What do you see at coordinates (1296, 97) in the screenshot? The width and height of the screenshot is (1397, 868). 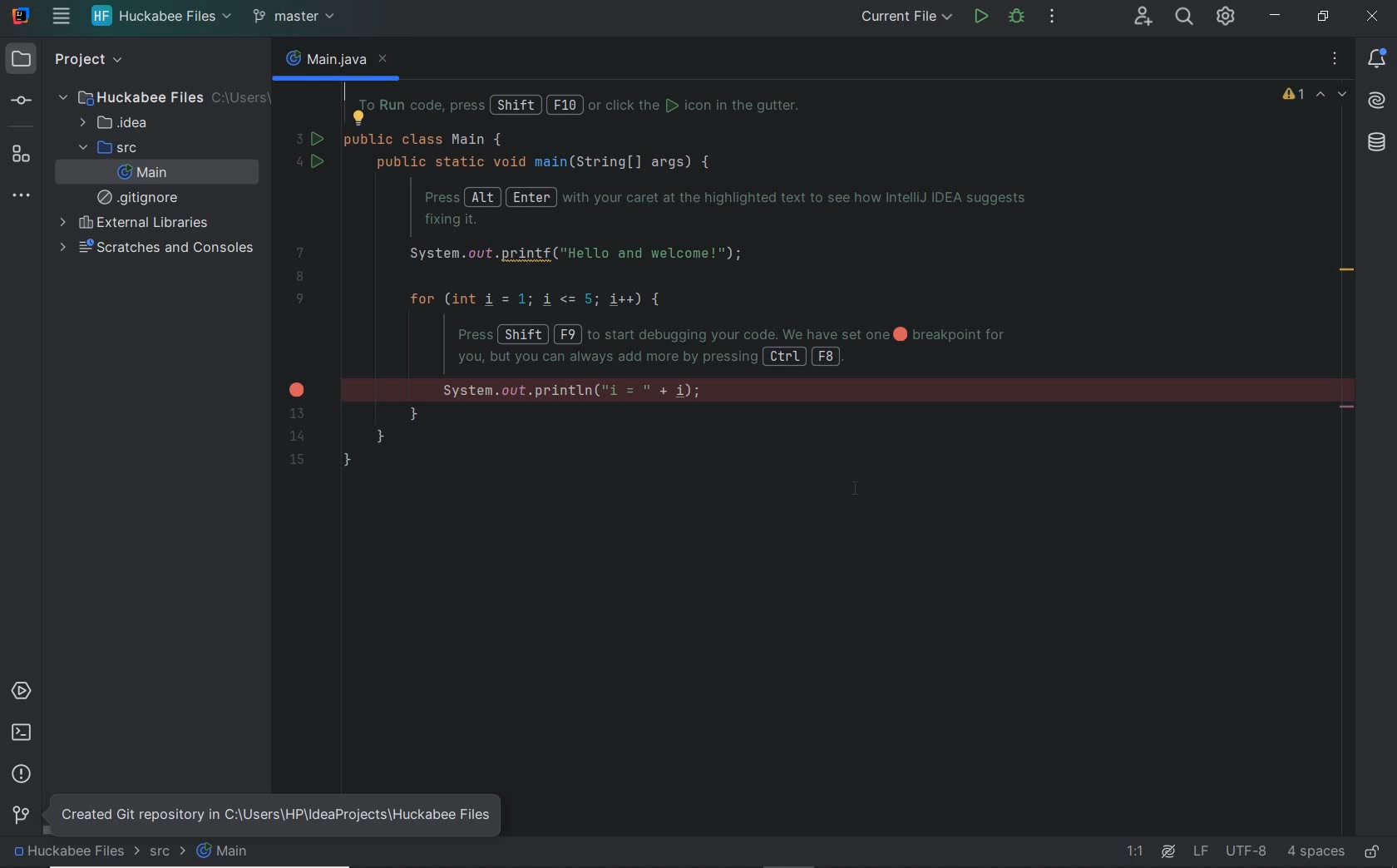 I see `1 warning` at bounding box center [1296, 97].